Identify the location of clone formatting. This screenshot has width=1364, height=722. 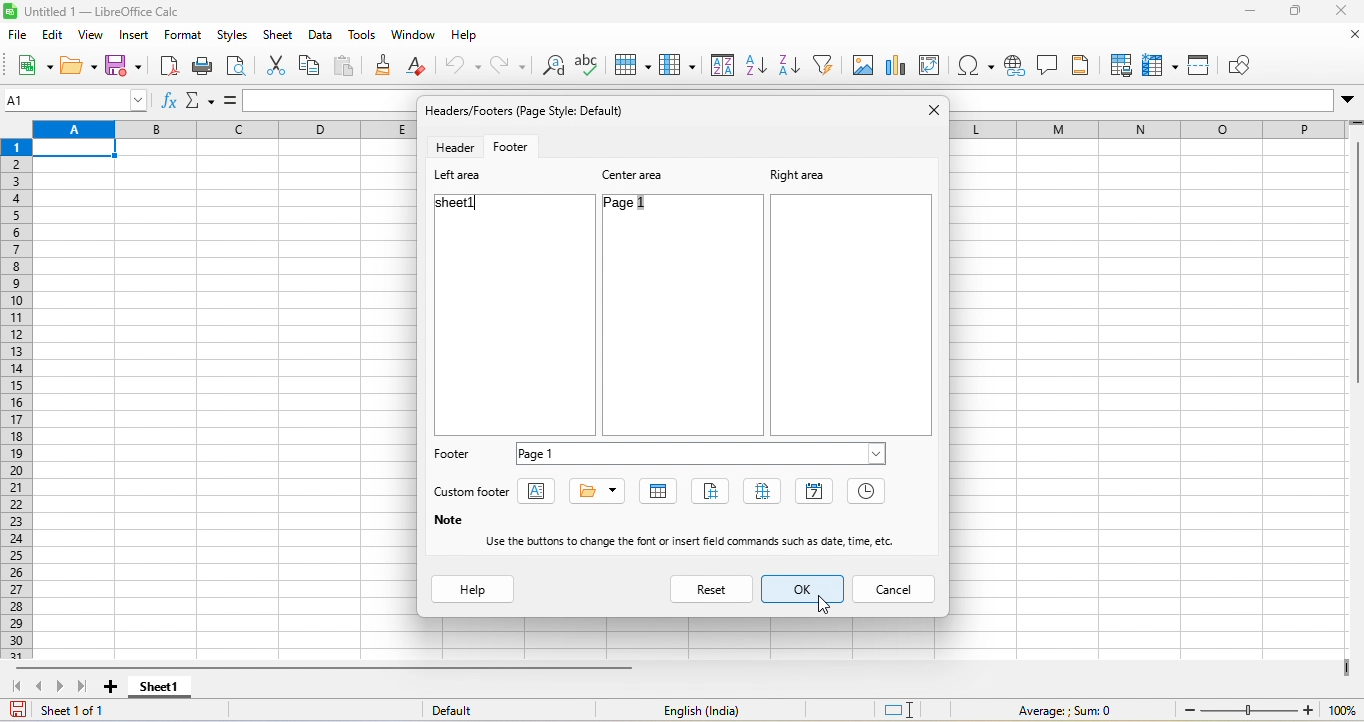
(386, 68).